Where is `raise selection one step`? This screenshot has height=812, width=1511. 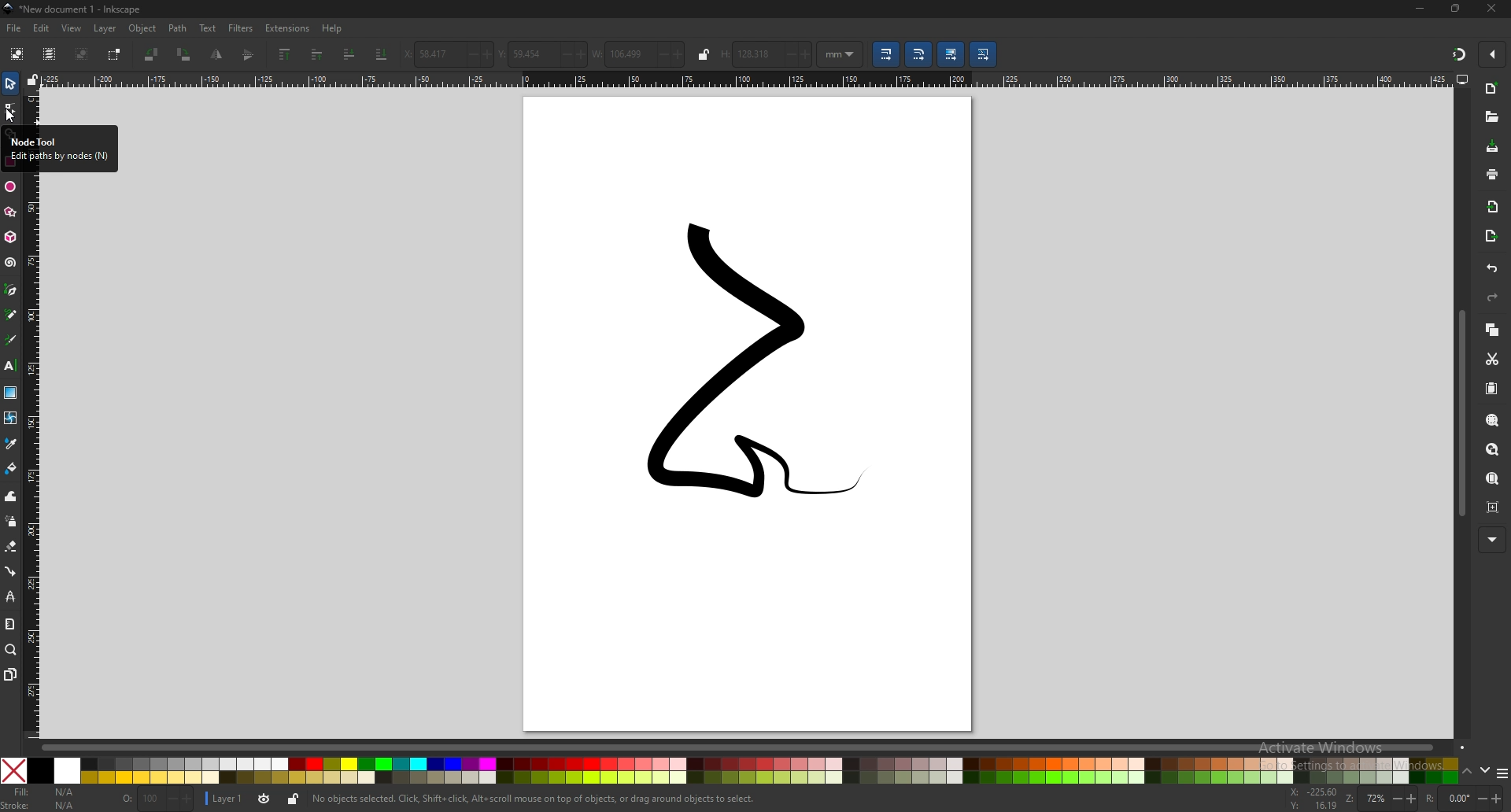 raise selection one step is located at coordinates (316, 54).